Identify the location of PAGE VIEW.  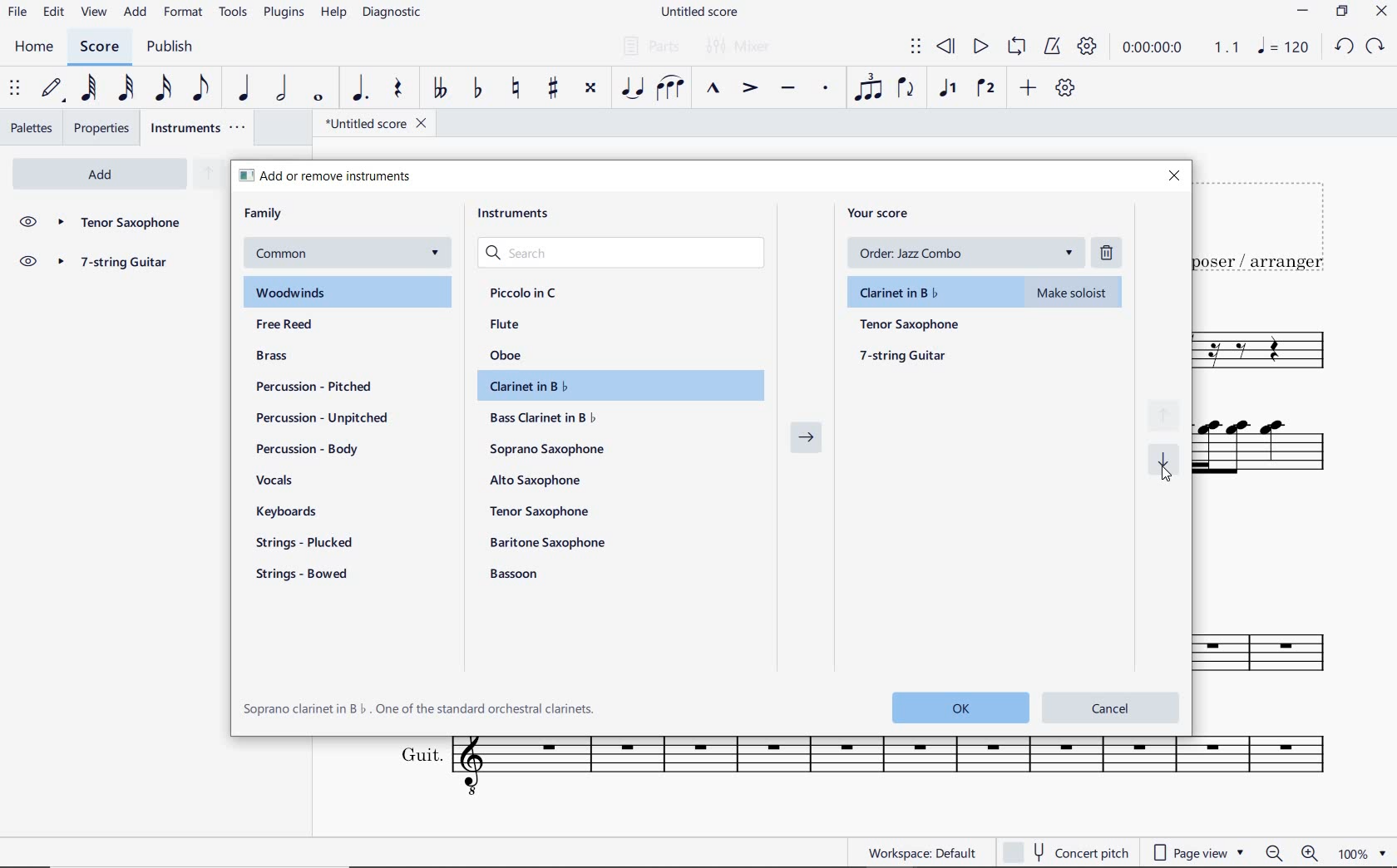
(1199, 851).